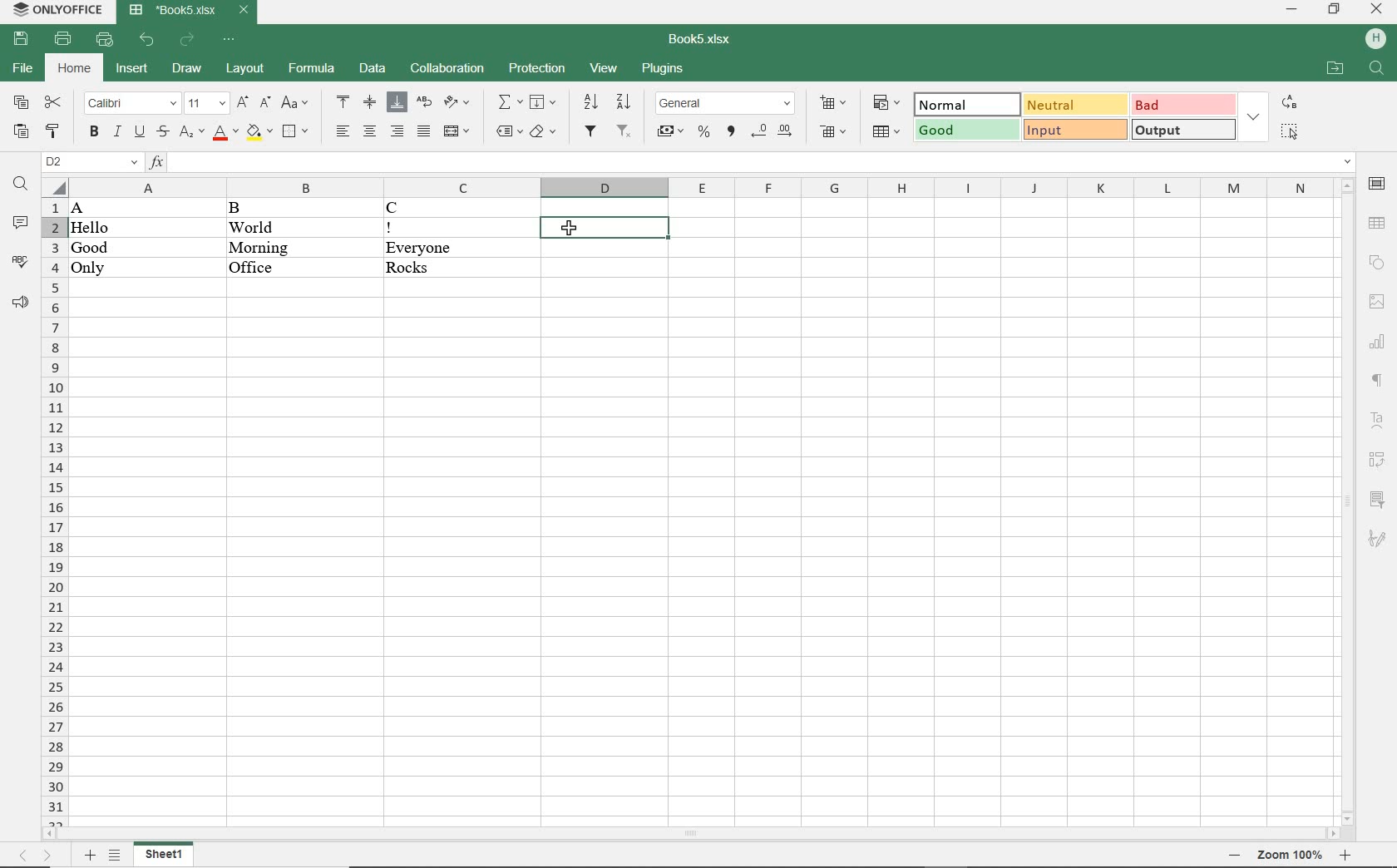 This screenshot has height=868, width=1397. What do you see at coordinates (1379, 341) in the screenshot?
I see `CHART` at bounding box center [1379, 341].